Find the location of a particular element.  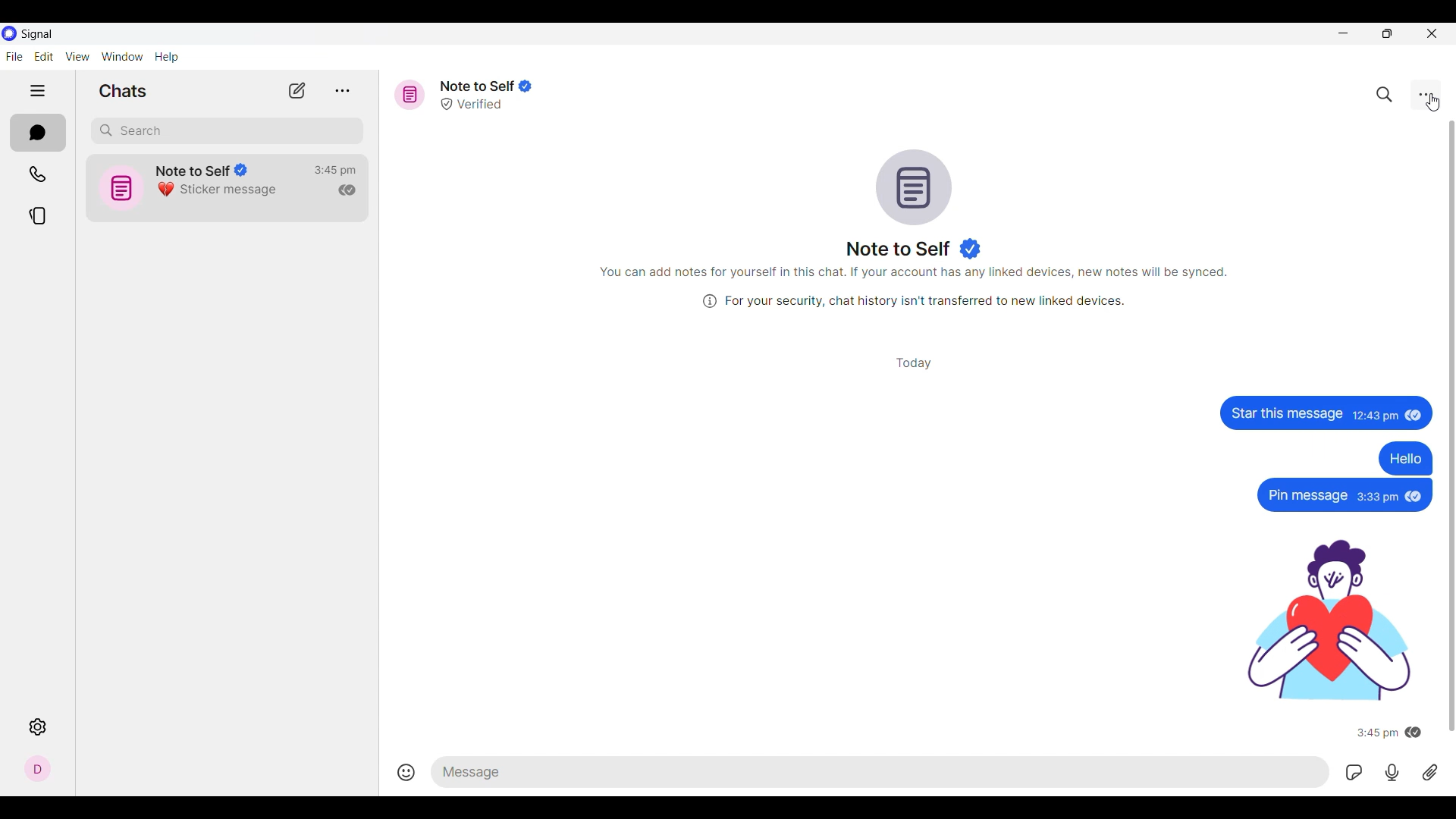

Pin message is located at coordinates (1306, 495).